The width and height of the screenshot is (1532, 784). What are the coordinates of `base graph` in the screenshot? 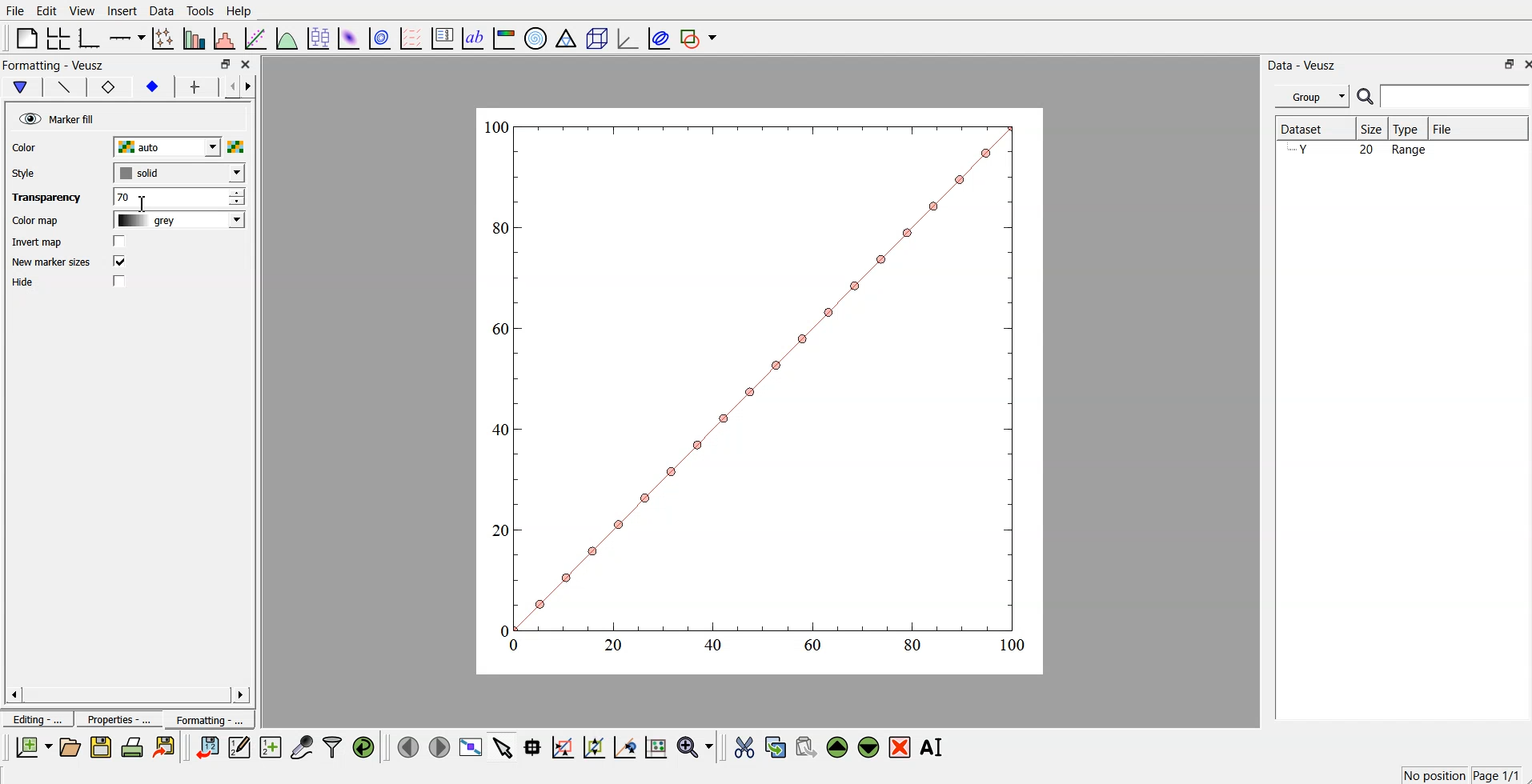 It's located at (90, 37).